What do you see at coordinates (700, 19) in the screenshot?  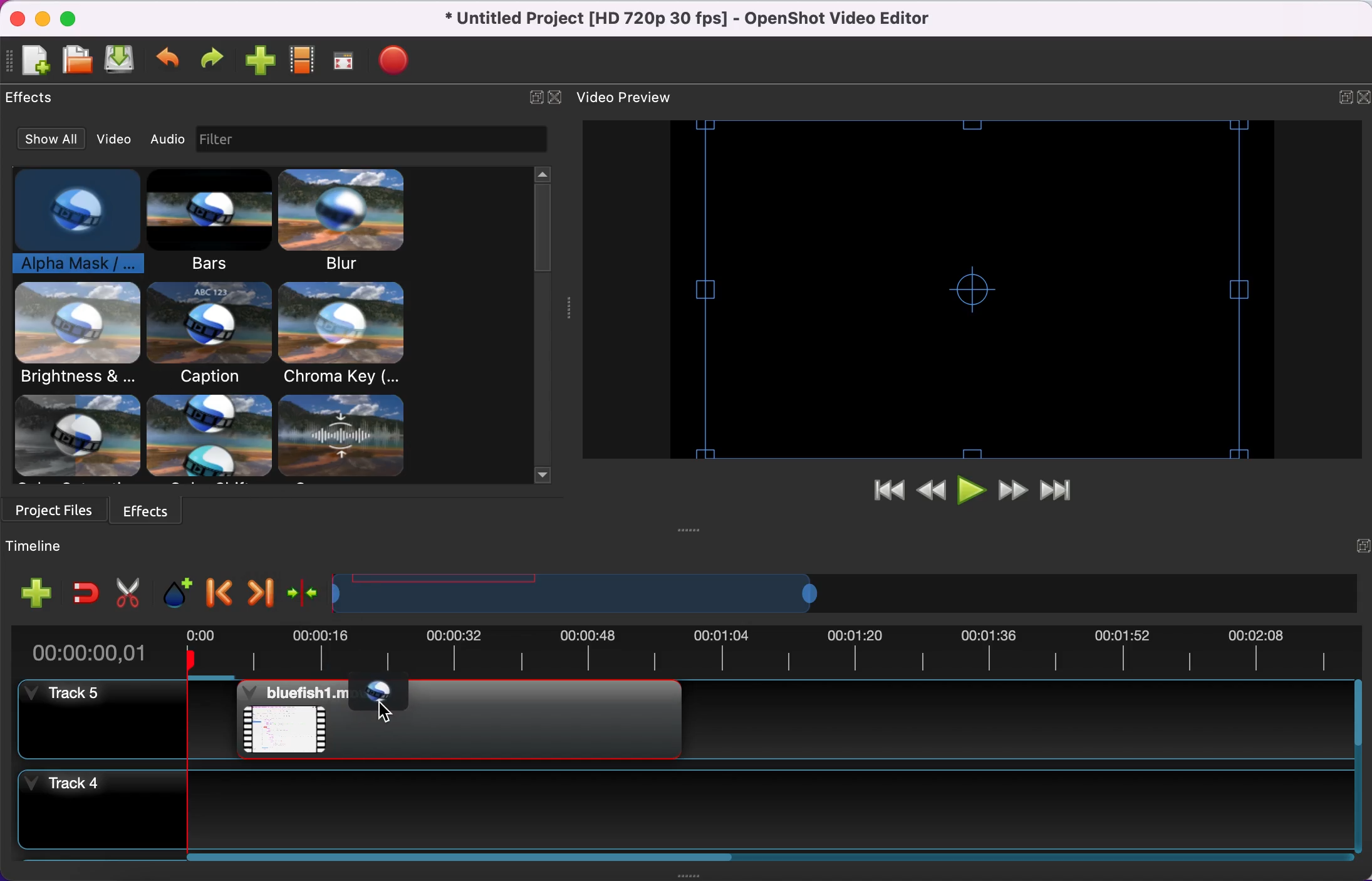 I see `title` at bounding box center [700, 19].